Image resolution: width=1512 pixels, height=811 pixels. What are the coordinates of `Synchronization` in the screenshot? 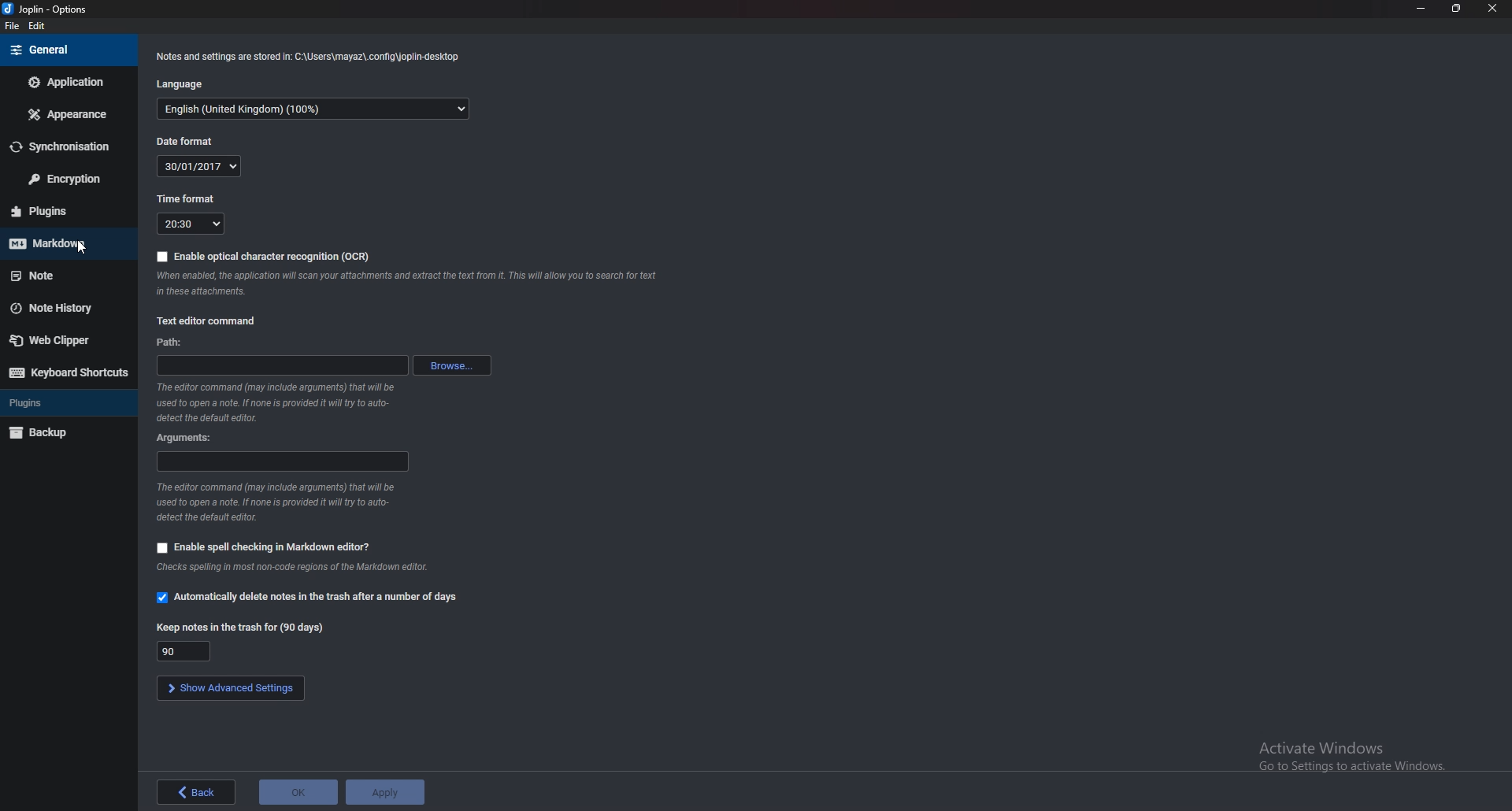 It's located at (64, 147).